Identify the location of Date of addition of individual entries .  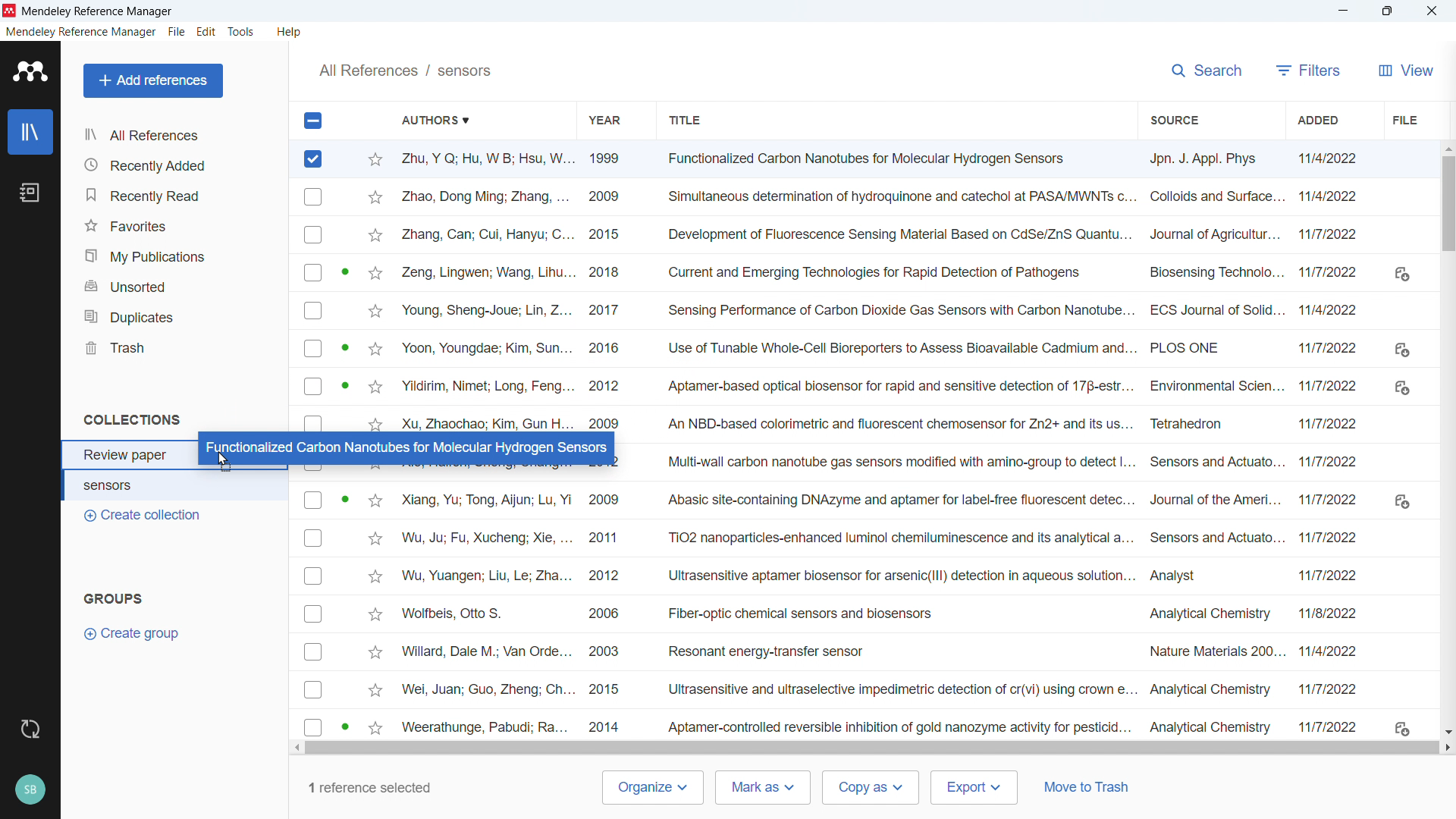
(1331, 441).